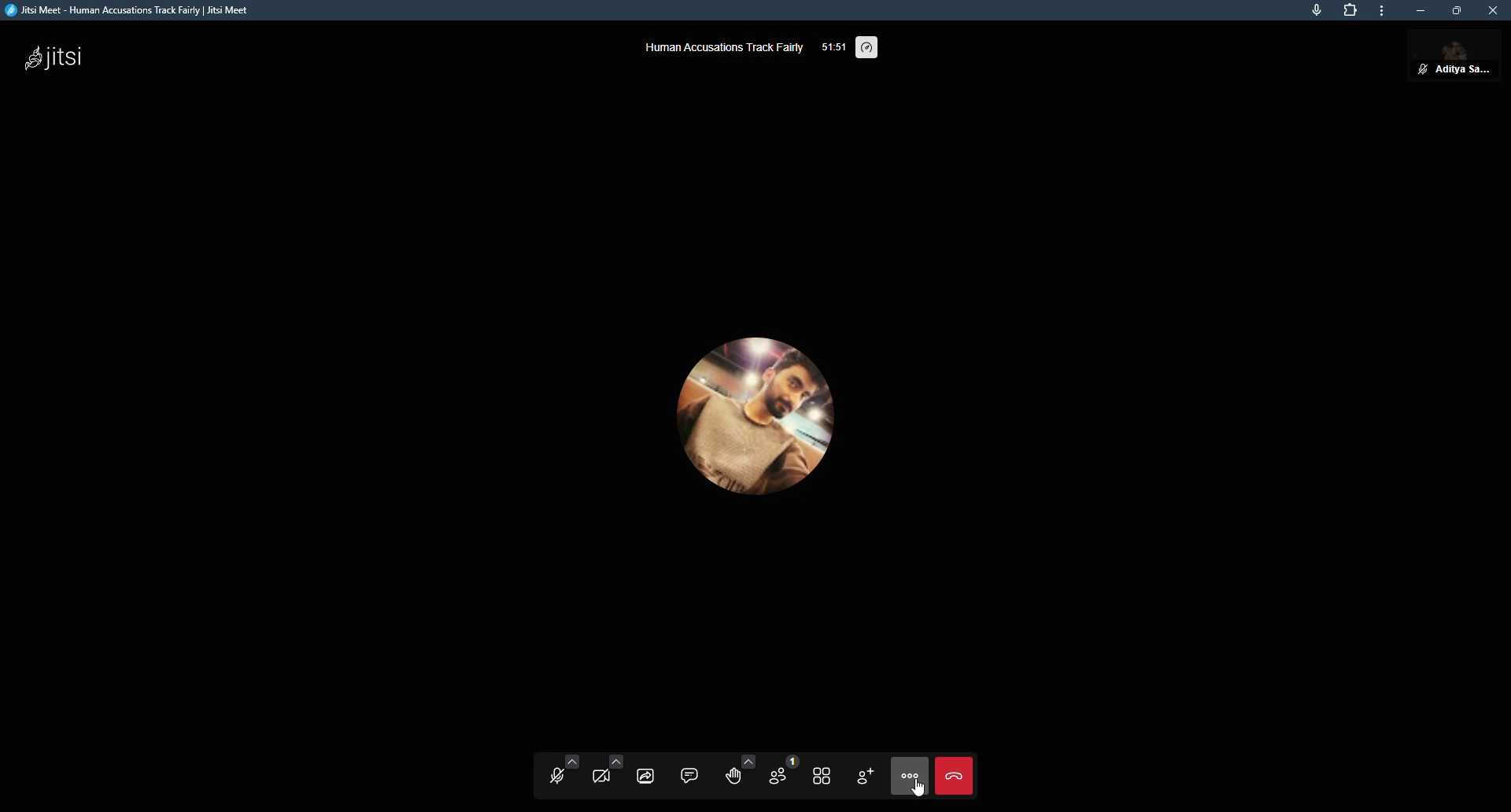 This screenshot has width=1511, height=812. I want to click on maximize, so click(1457, 10).